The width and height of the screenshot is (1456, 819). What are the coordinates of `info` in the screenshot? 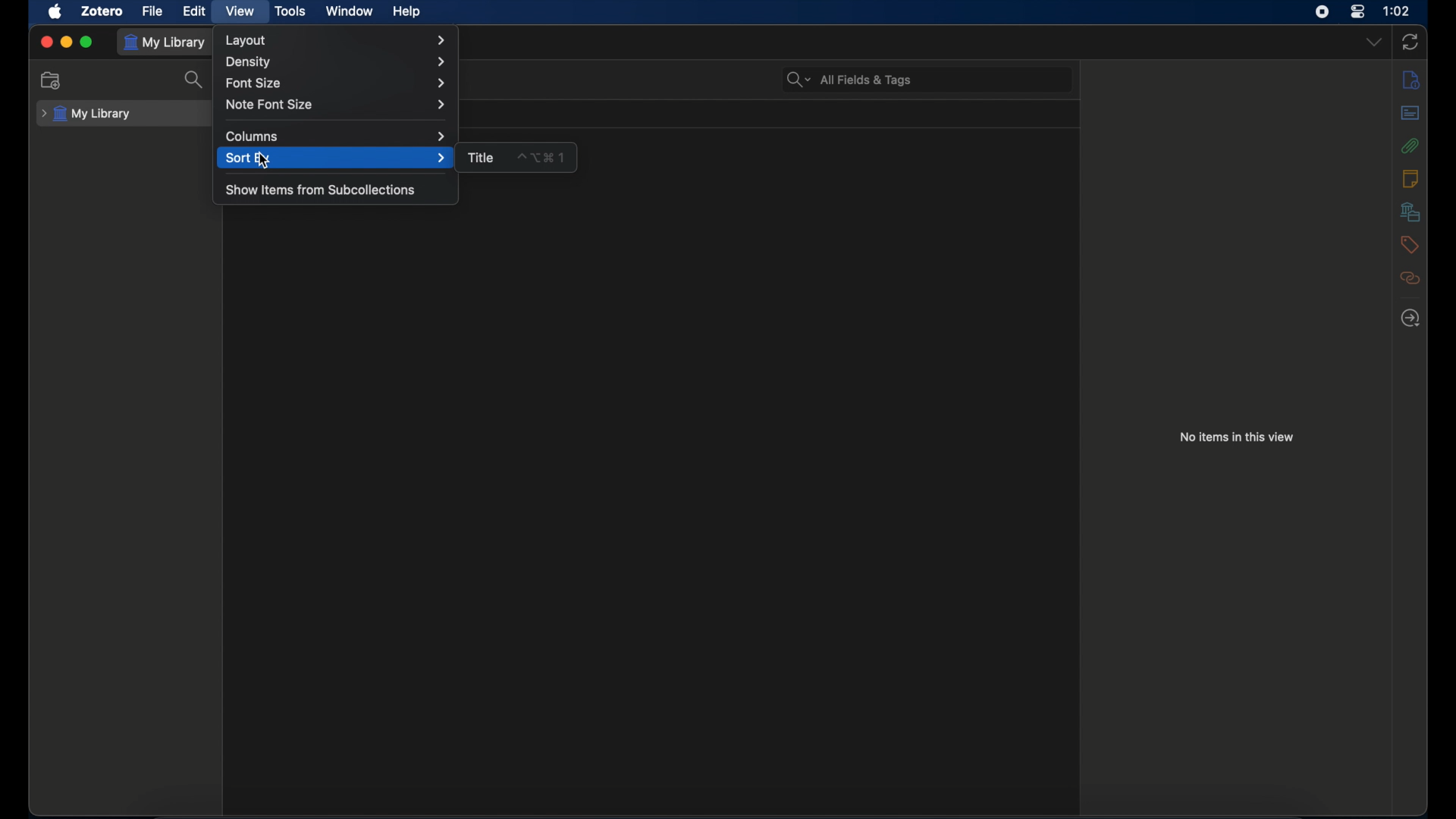 It's located at (1411, 80).